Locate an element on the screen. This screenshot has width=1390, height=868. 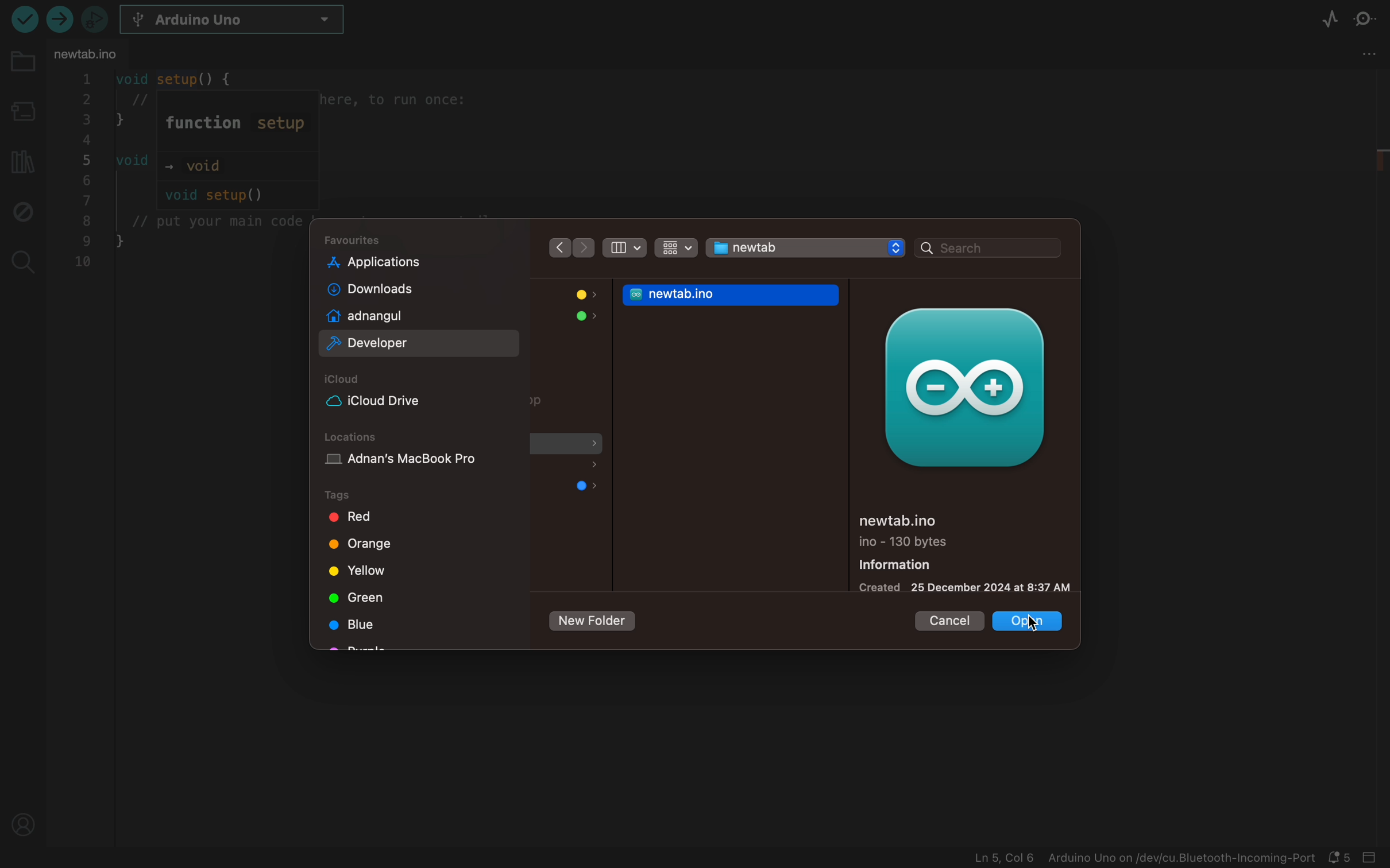
tags is located at coordinates (364, 595).